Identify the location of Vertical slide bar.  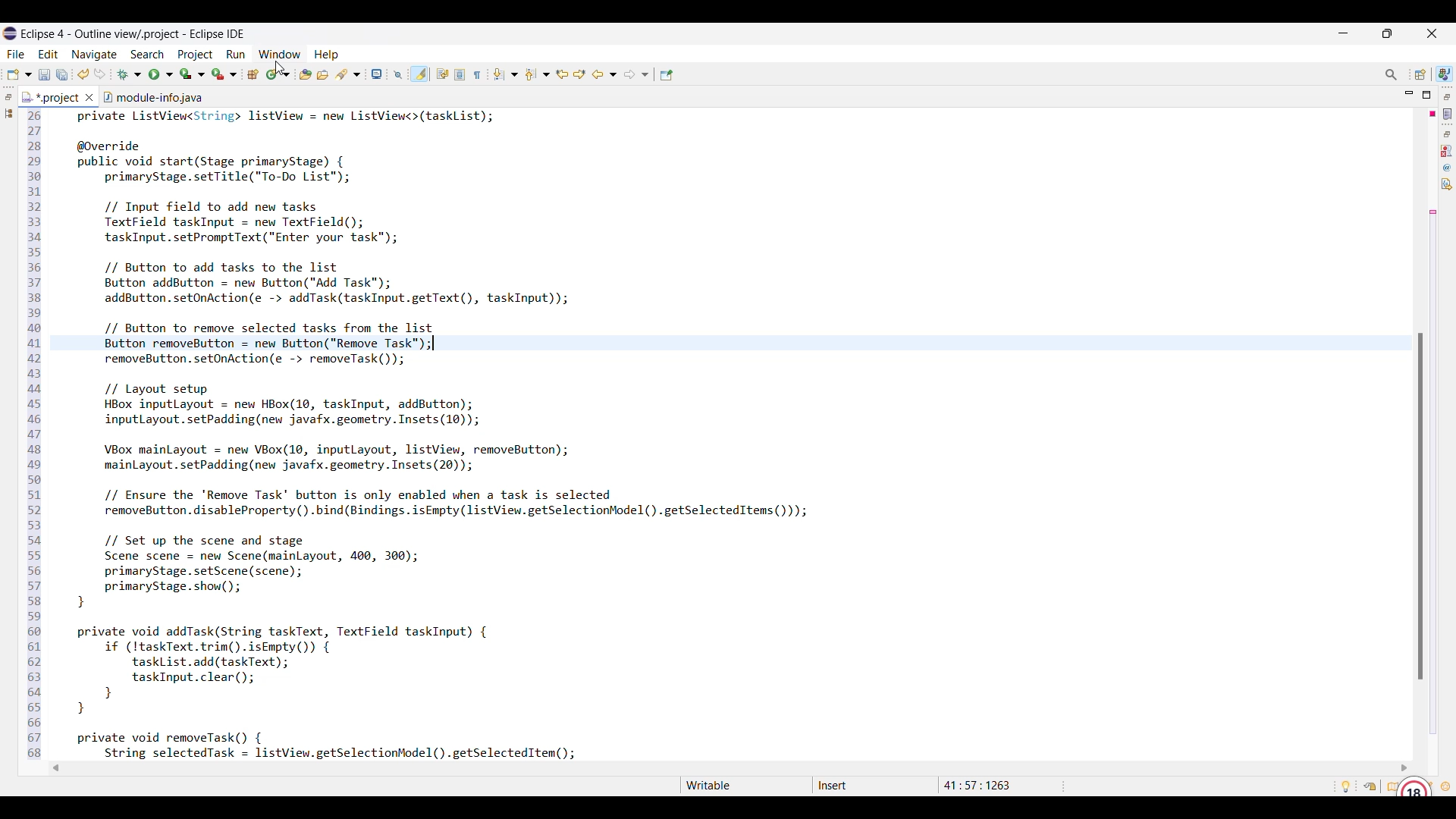
(1420, 506).